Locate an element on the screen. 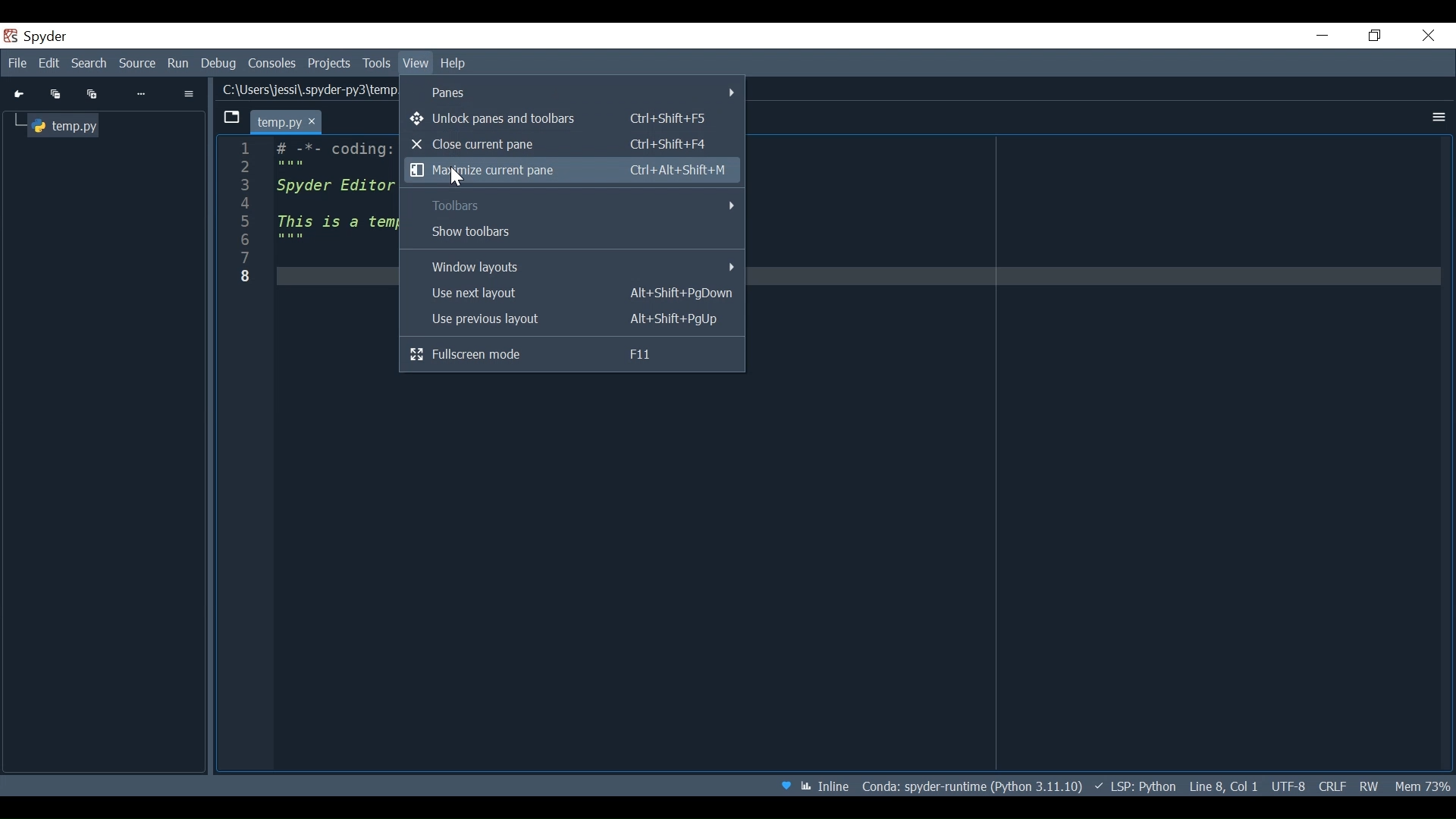  View is located at coordinates (417, 63).